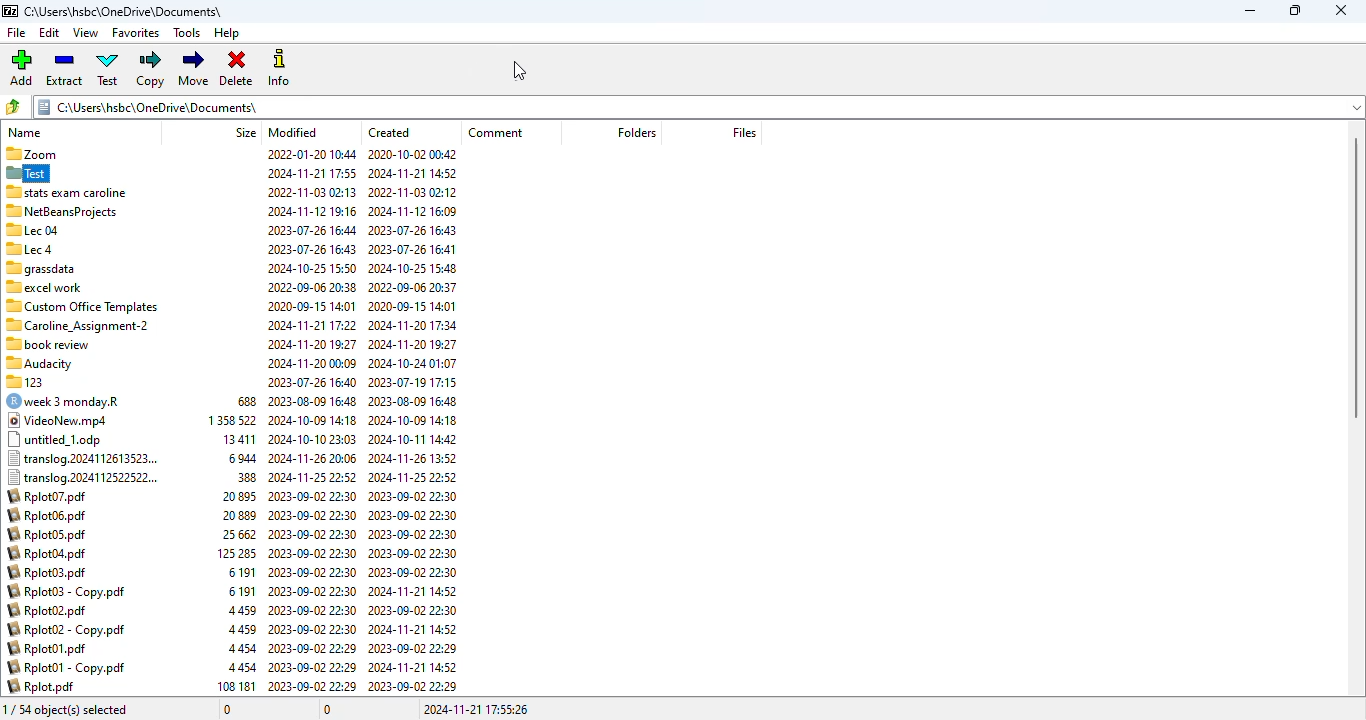 The width and height of the screenshot is (1366, 720). What do you see at coordinates (25, 133) in the screenshot?
I see `name` at bounding box center [25, 133].